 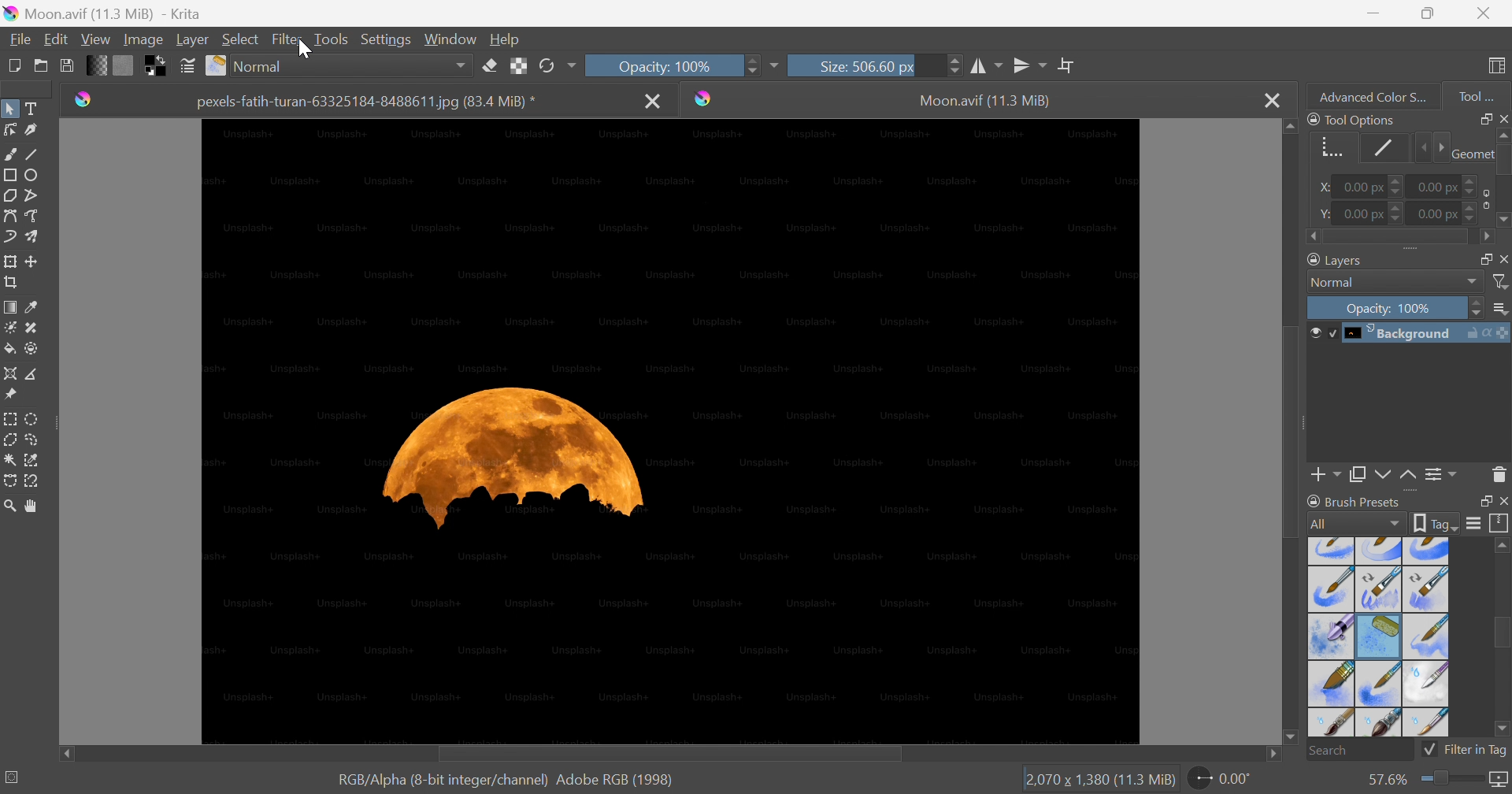 I want to click on cursor, so click(x=306, y=50).